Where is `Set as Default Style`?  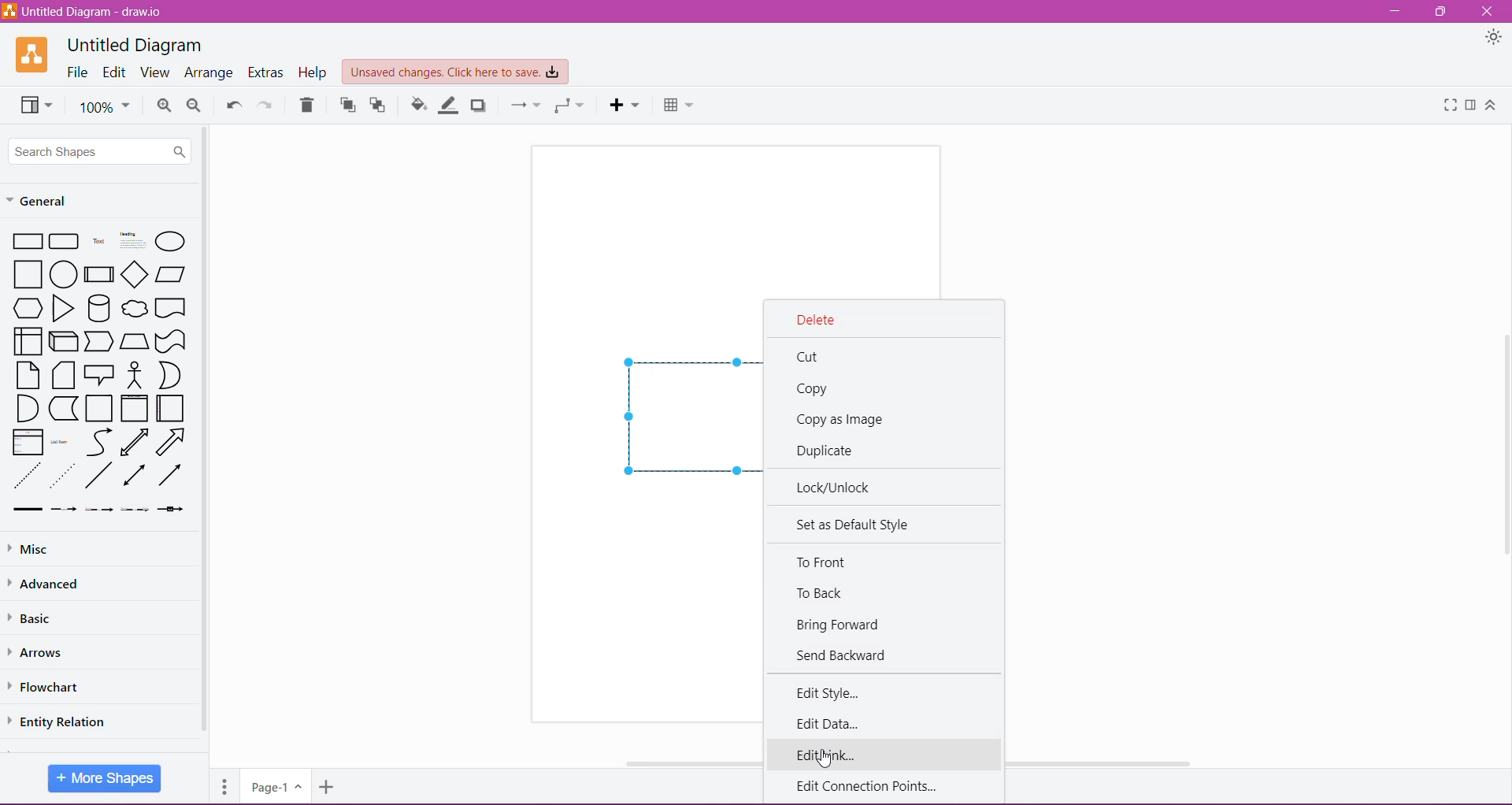 Set as Default Style is located at coordinates (855, 525).